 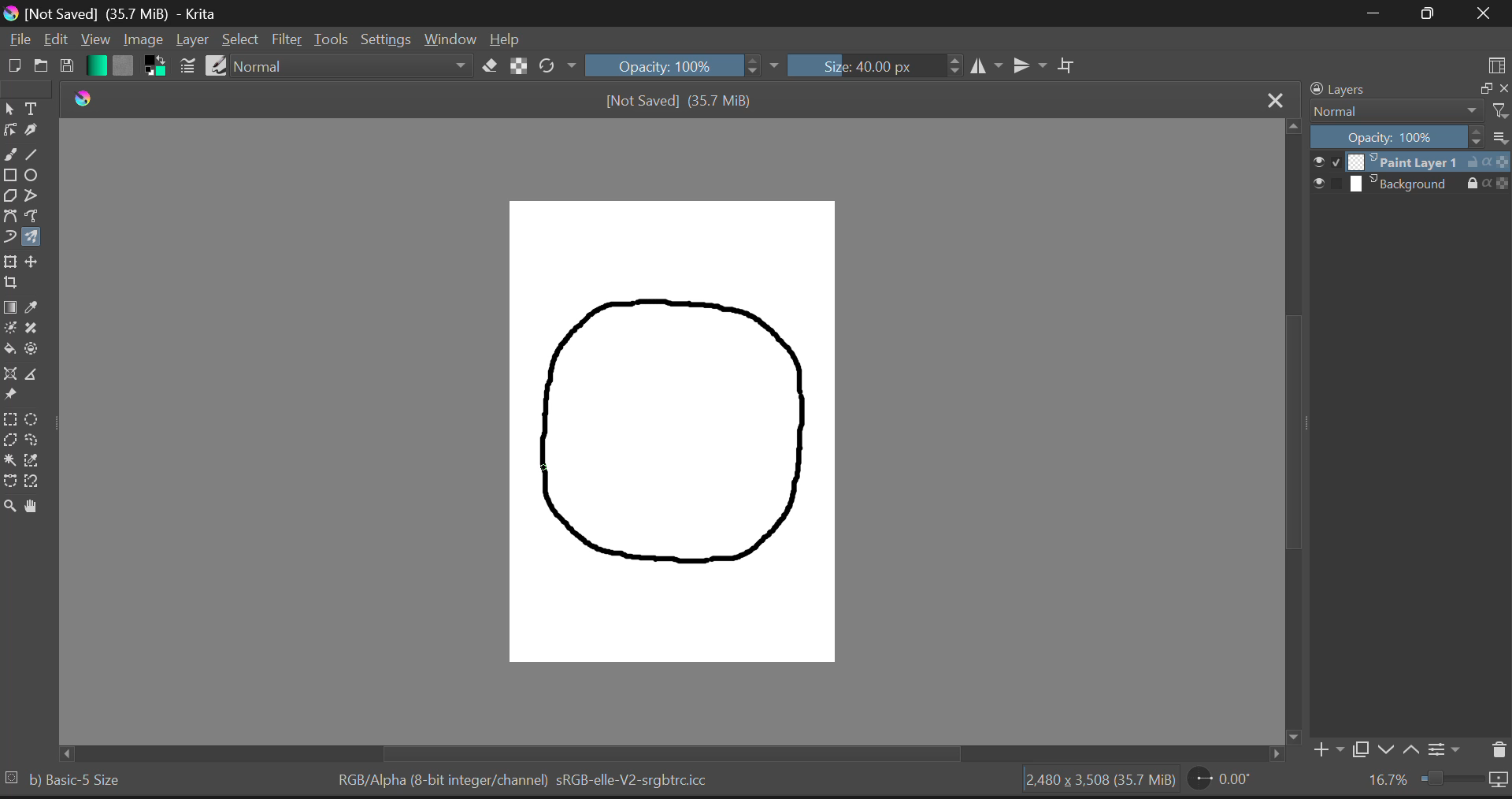 I want to click on Window, so click(x=449, y=40).